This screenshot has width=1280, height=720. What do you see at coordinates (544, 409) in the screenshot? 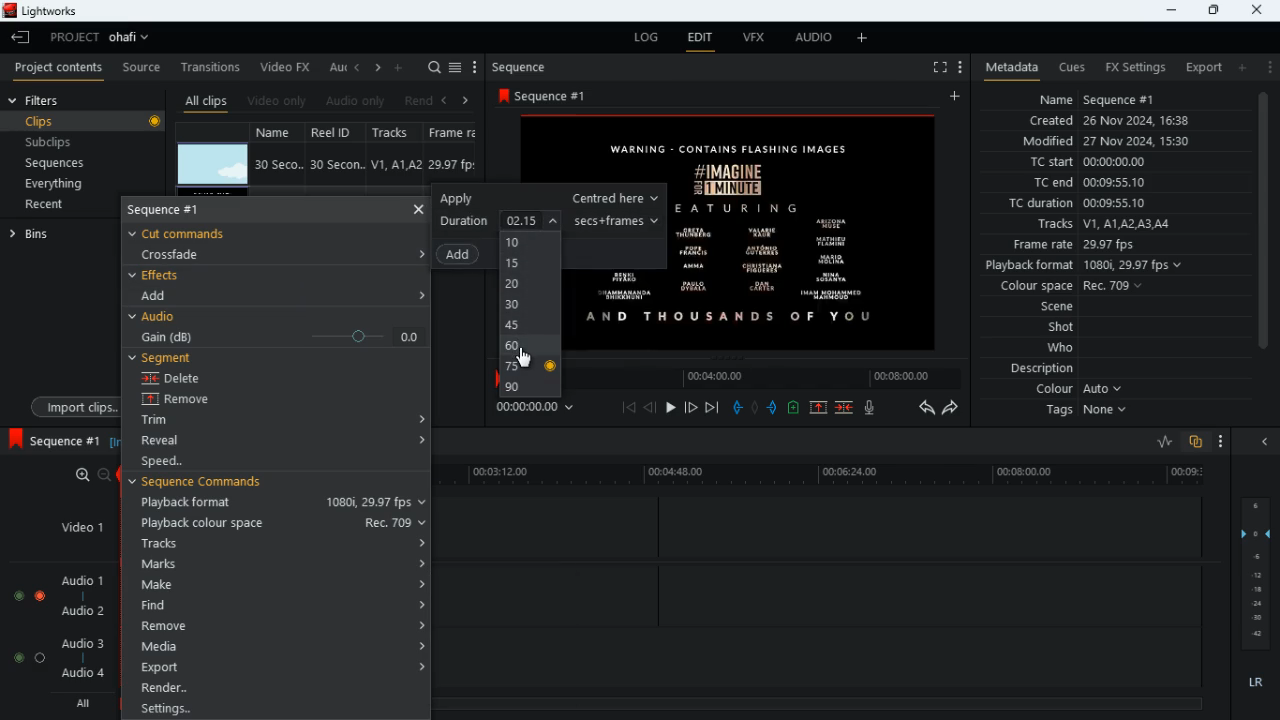
I see `time` at bounding box center [544, 409].